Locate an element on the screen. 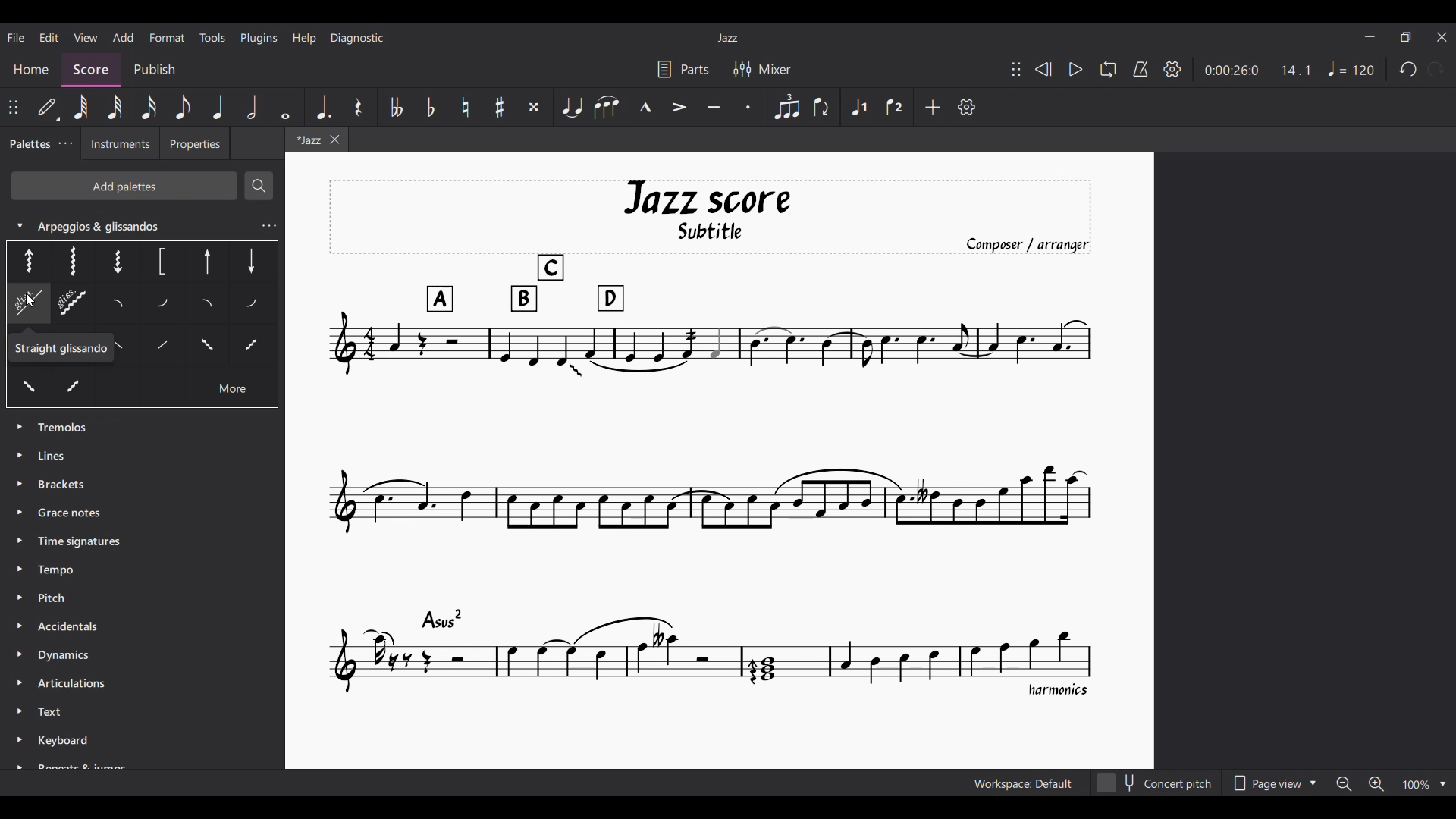  Plate 6 is located at coordinates (250, 260).